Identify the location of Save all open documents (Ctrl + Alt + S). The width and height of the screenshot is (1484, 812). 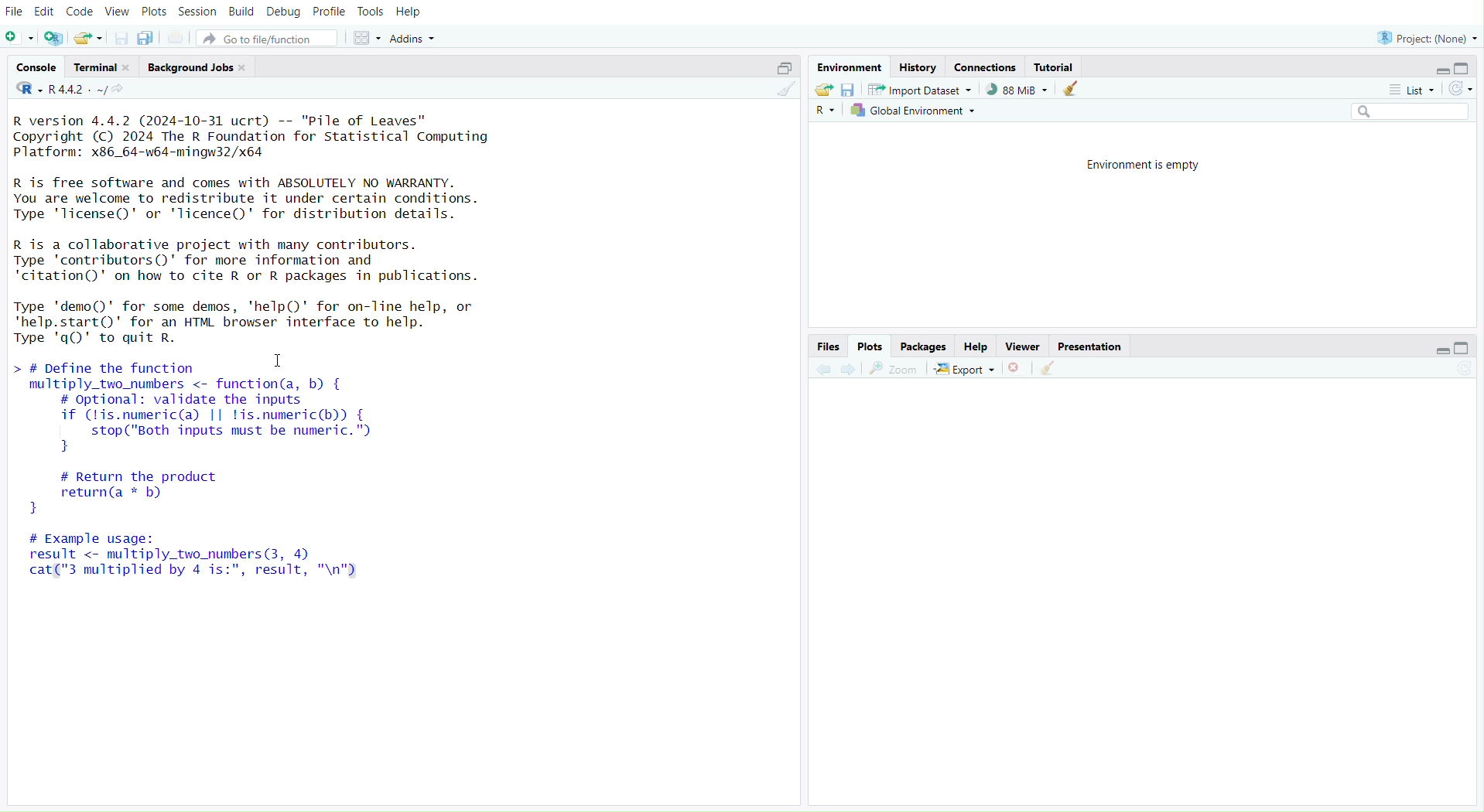
(145, 37).